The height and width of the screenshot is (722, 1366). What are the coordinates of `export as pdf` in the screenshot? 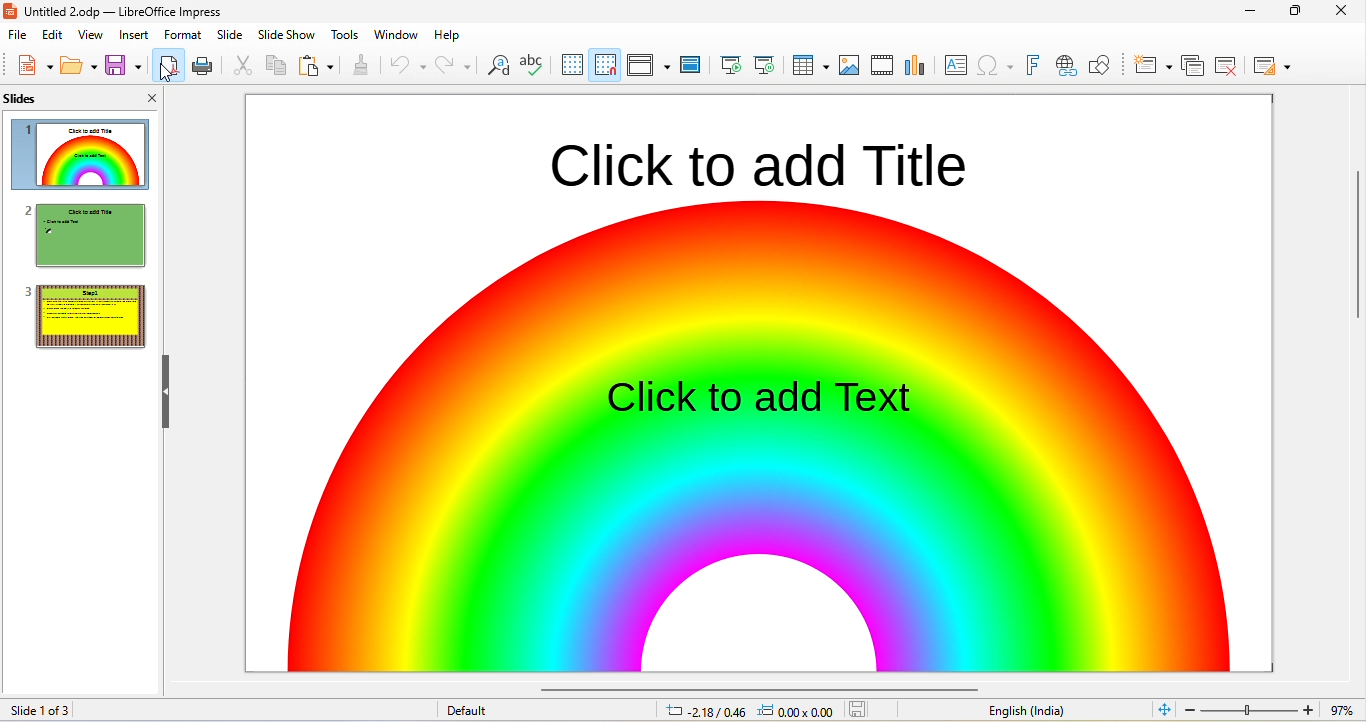 It's located at (167, 64).